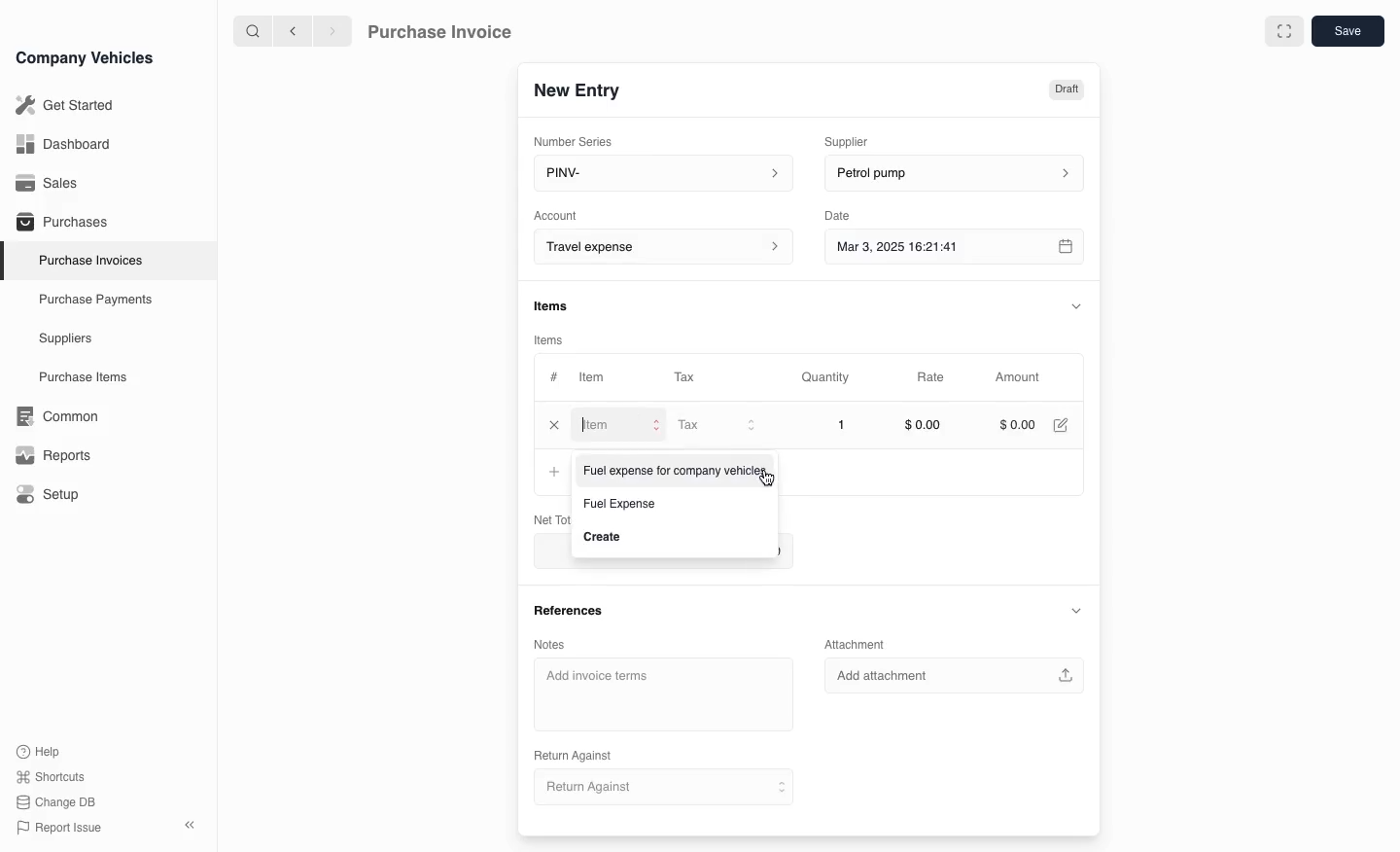 The image size is (1400, 852). I want to click on PINV-, so click(657, 175).